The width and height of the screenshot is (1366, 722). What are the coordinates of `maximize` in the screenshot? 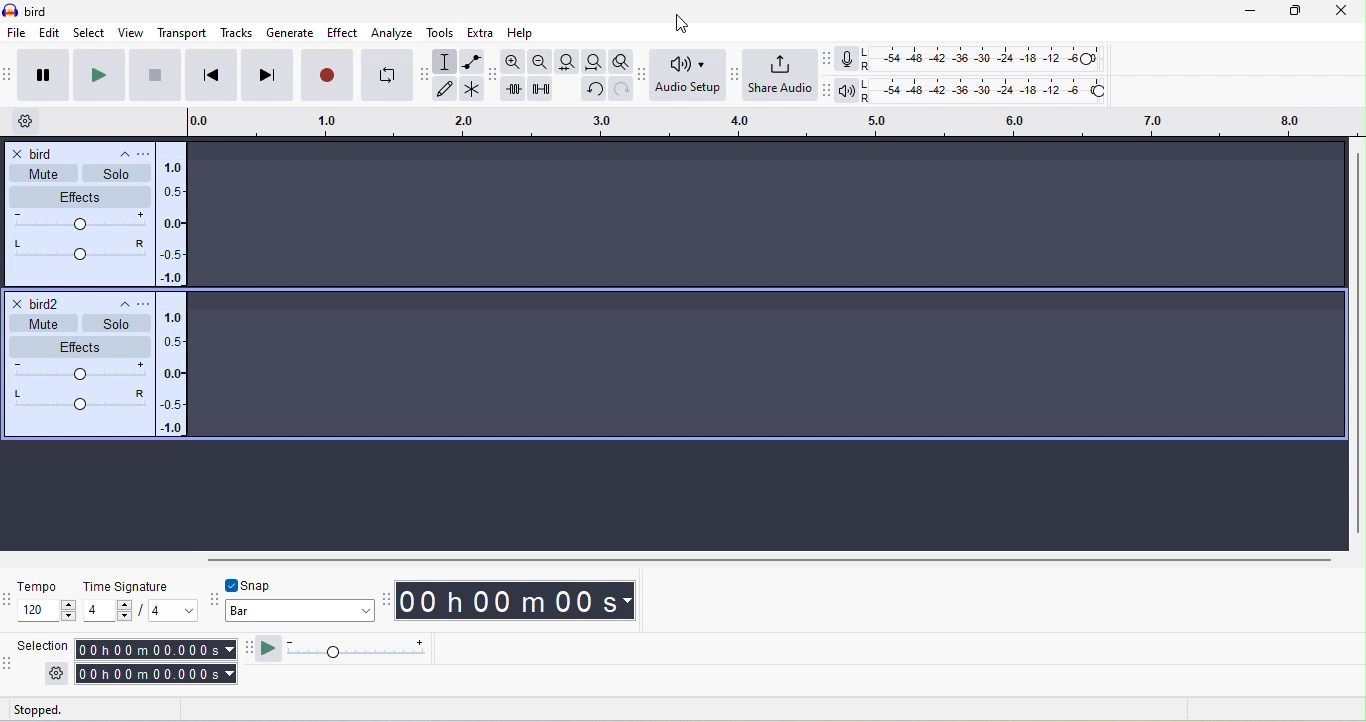 It's located at (1293, 13).